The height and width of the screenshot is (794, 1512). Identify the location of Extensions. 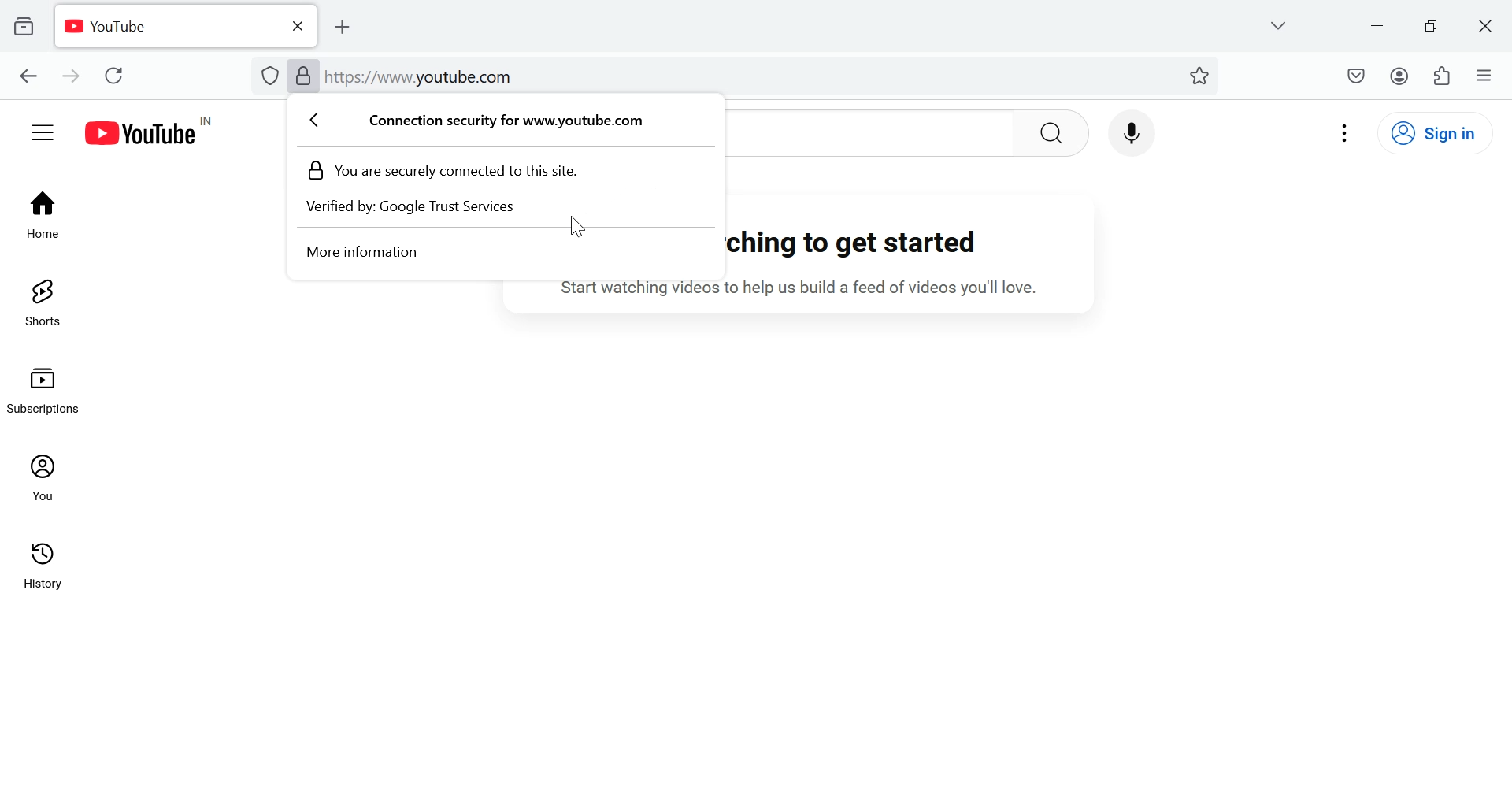
(1444, 75).